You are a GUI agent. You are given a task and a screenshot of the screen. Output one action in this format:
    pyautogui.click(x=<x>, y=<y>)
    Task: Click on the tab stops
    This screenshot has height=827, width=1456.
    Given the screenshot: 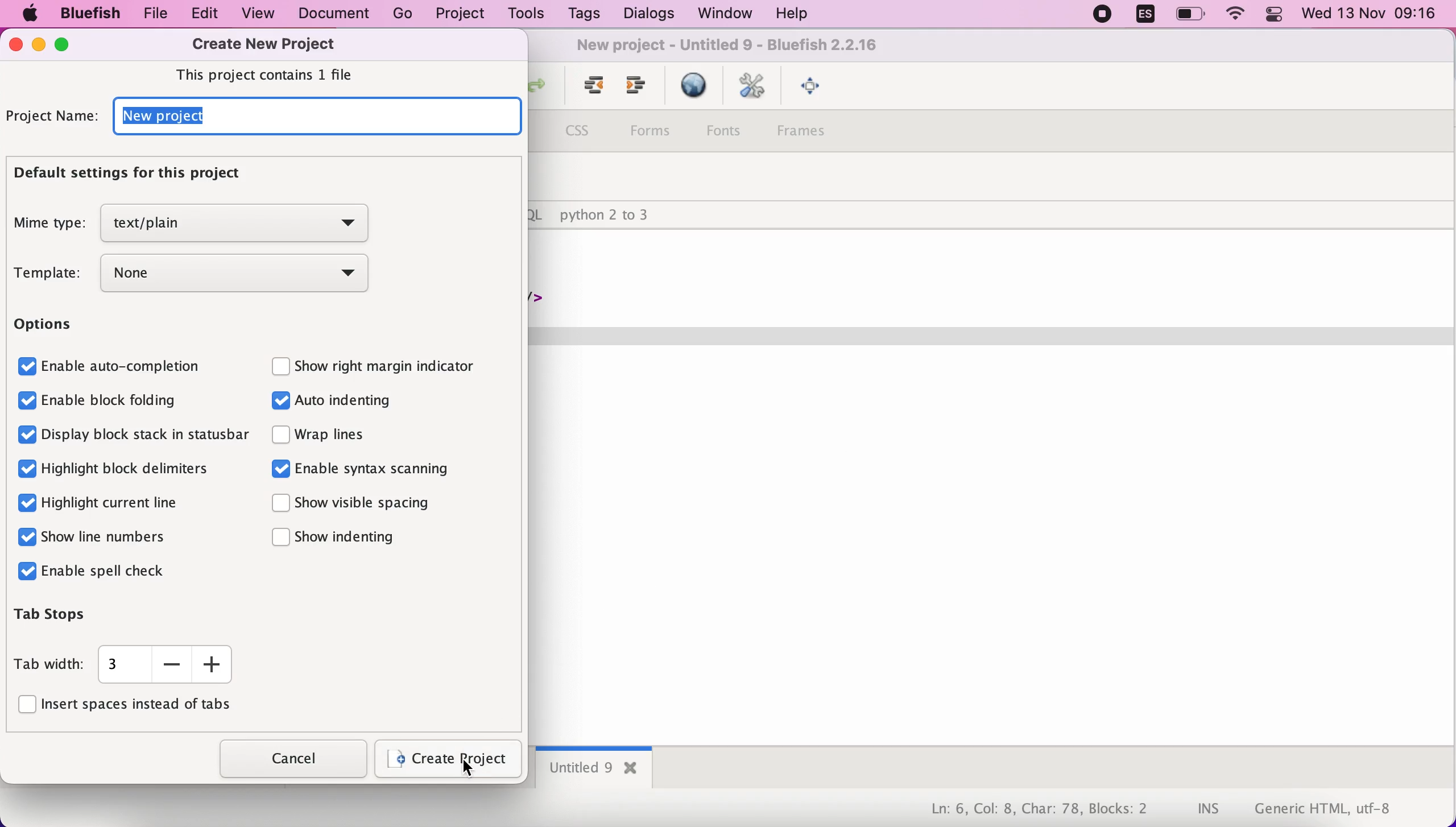 What is the action you would take?
    pyautogui.click(x=79, y=617)
    